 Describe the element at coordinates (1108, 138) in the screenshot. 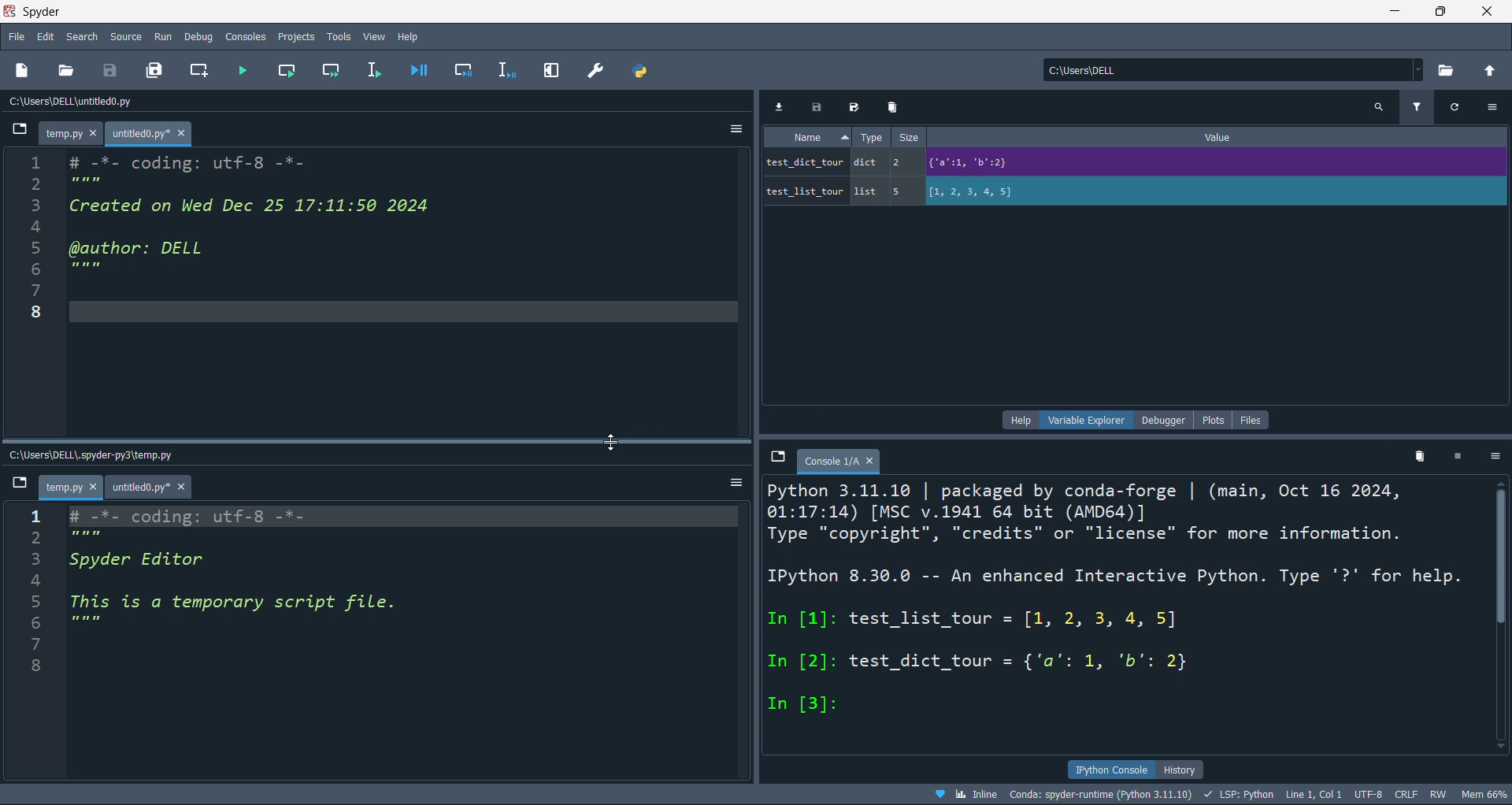

I see `a | Name a Type Size Value` at that location.